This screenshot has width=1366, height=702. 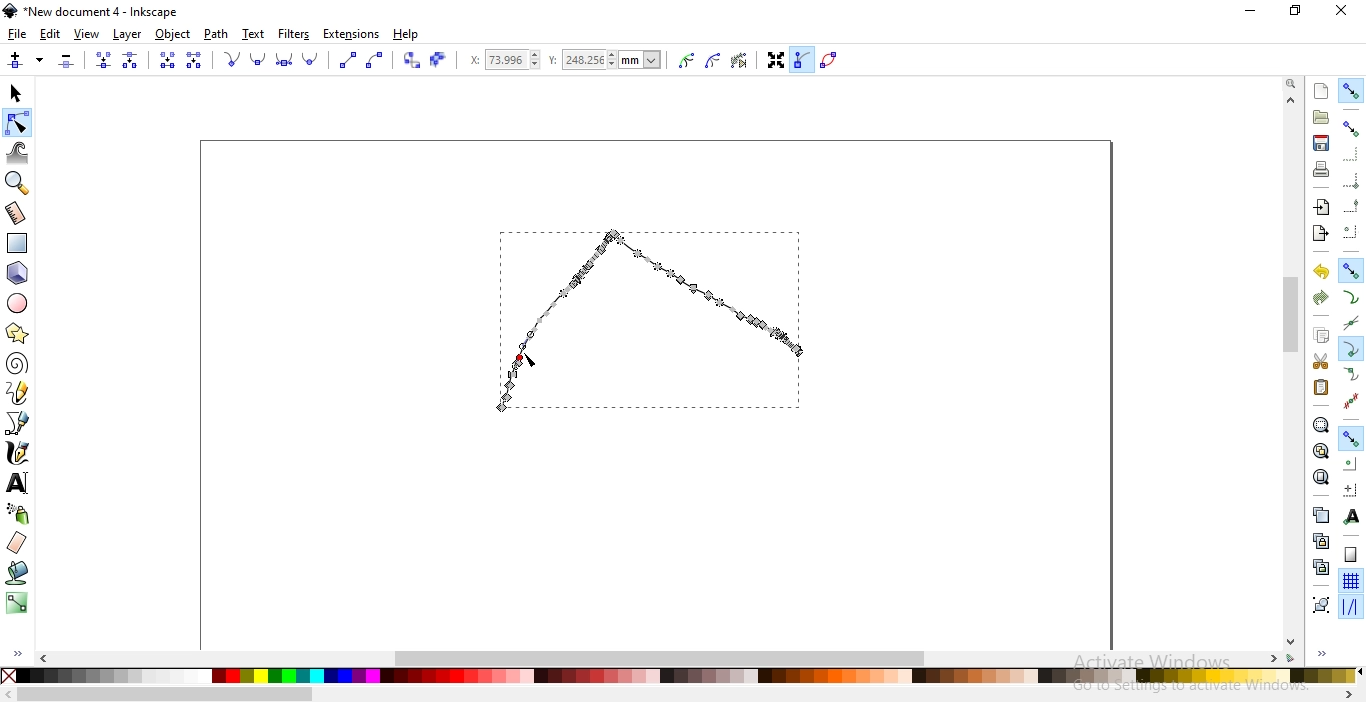 What do you see at coordinates (19, 453) in the screenshot?
I see `draw calligraphic or brush strokes` at bounding box center [19, 453].